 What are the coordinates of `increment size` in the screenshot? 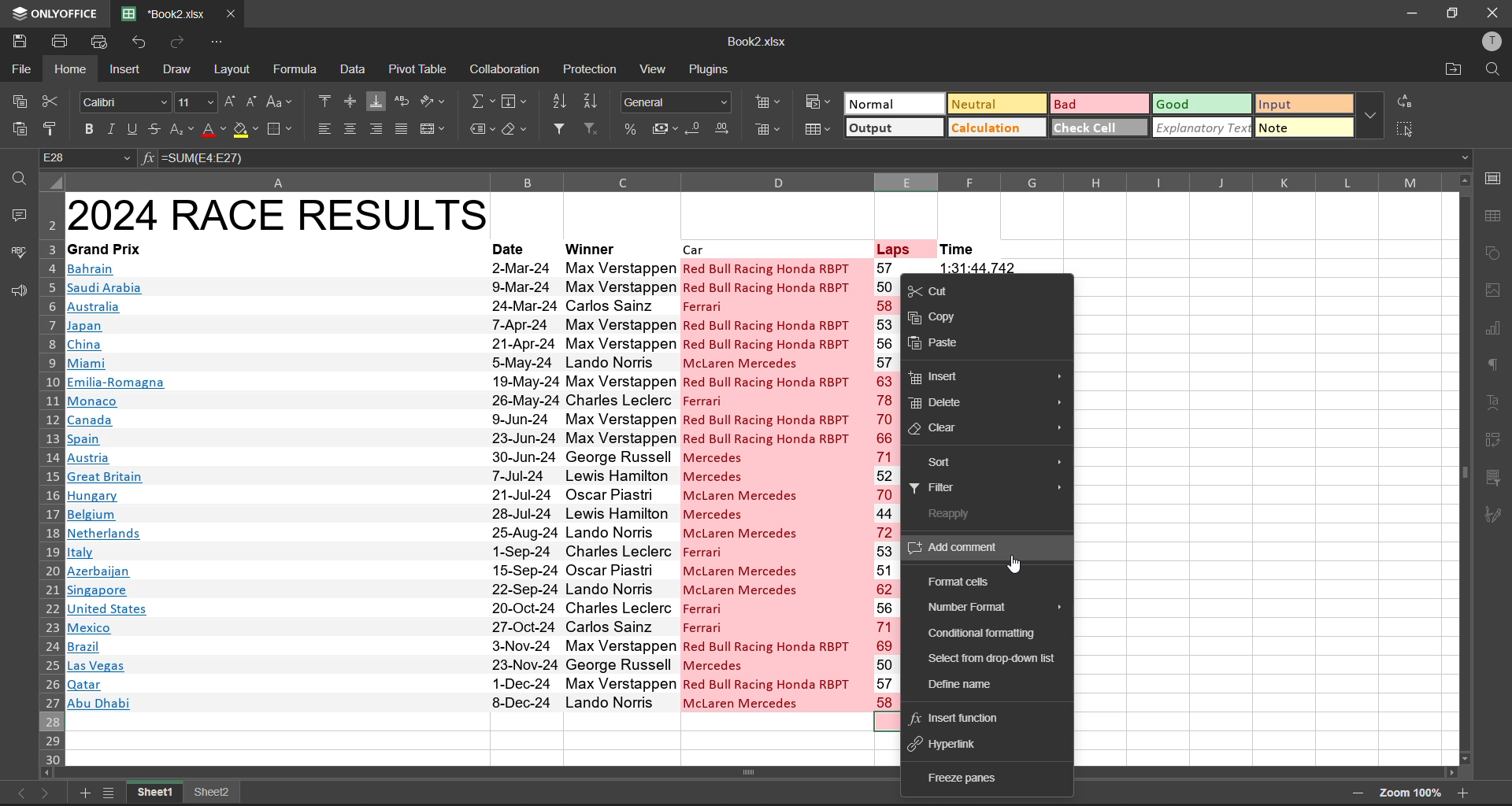 It's located at (231, 102).